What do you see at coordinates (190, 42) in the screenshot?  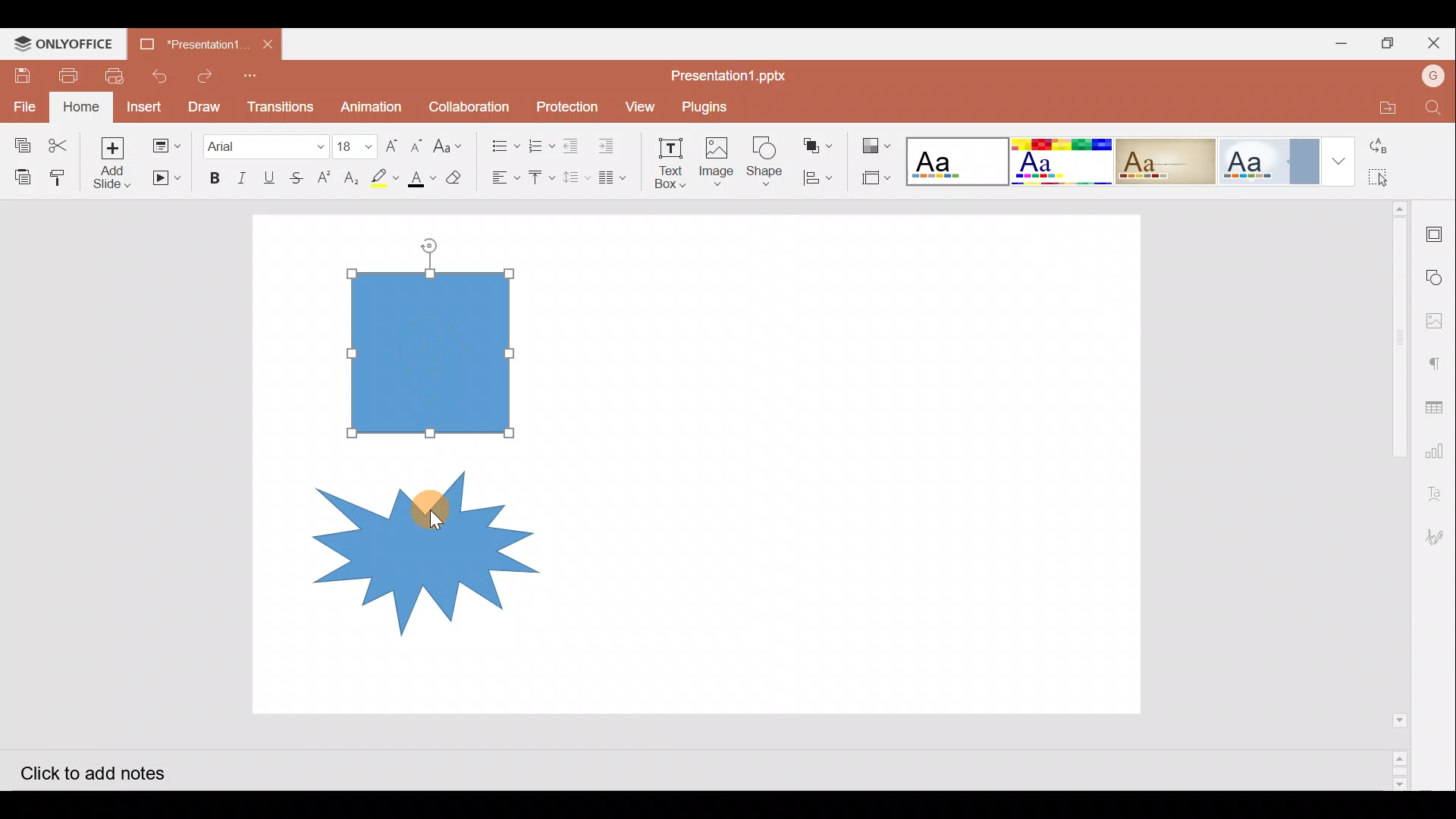 I see `Presentation1.` at bounding box center [190, 42].